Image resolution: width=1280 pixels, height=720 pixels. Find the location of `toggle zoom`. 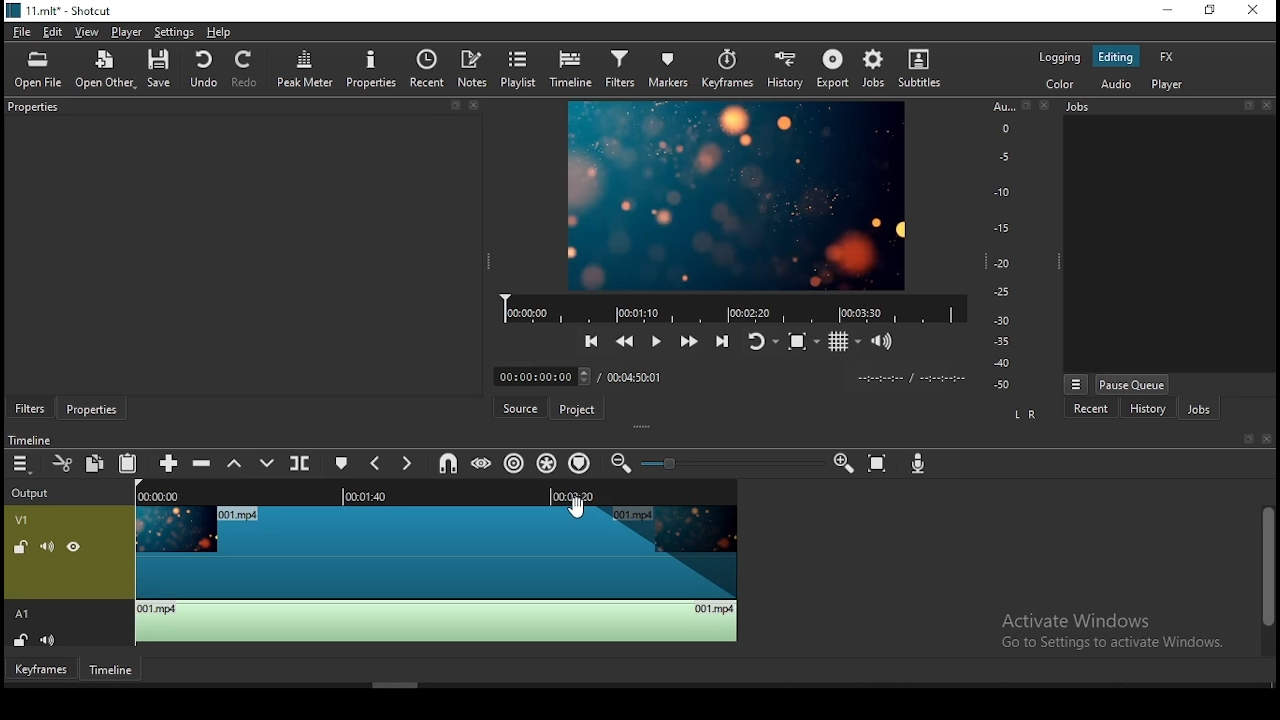

toggle zoom is located at coordinates (798, 345).